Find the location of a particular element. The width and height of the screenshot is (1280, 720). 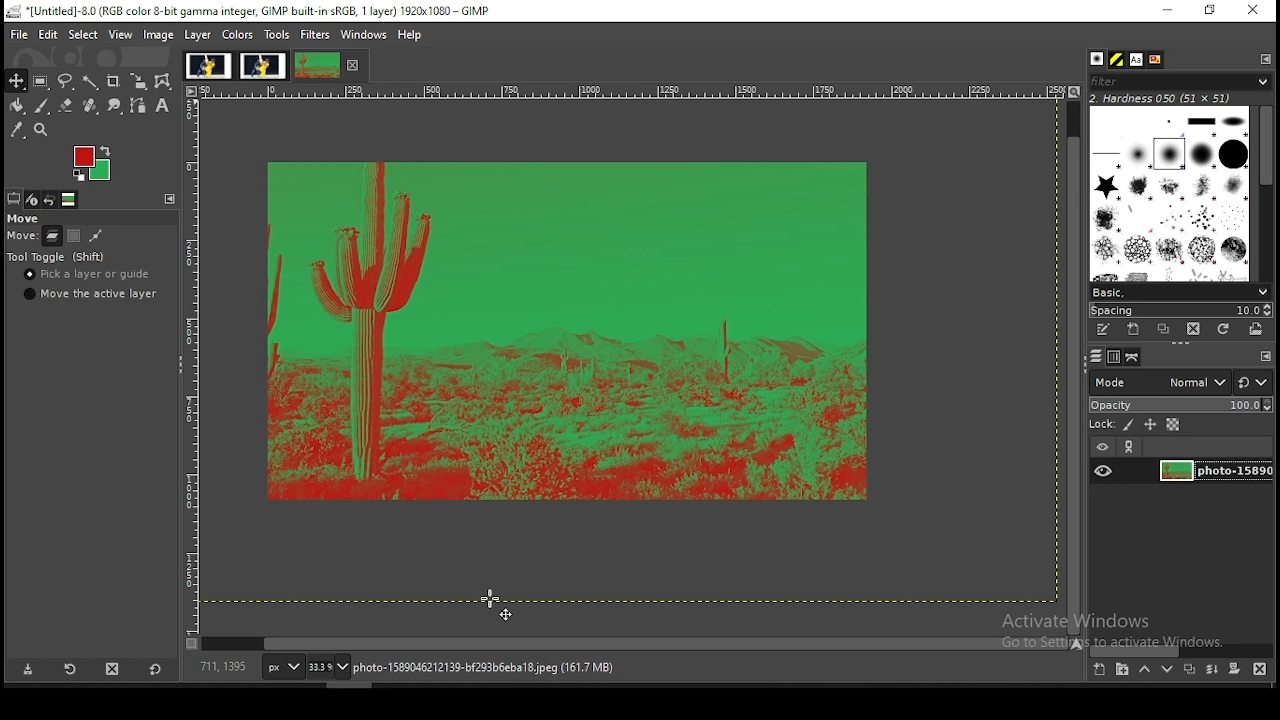

move layer one step up is located at coordinates (1144, 669).